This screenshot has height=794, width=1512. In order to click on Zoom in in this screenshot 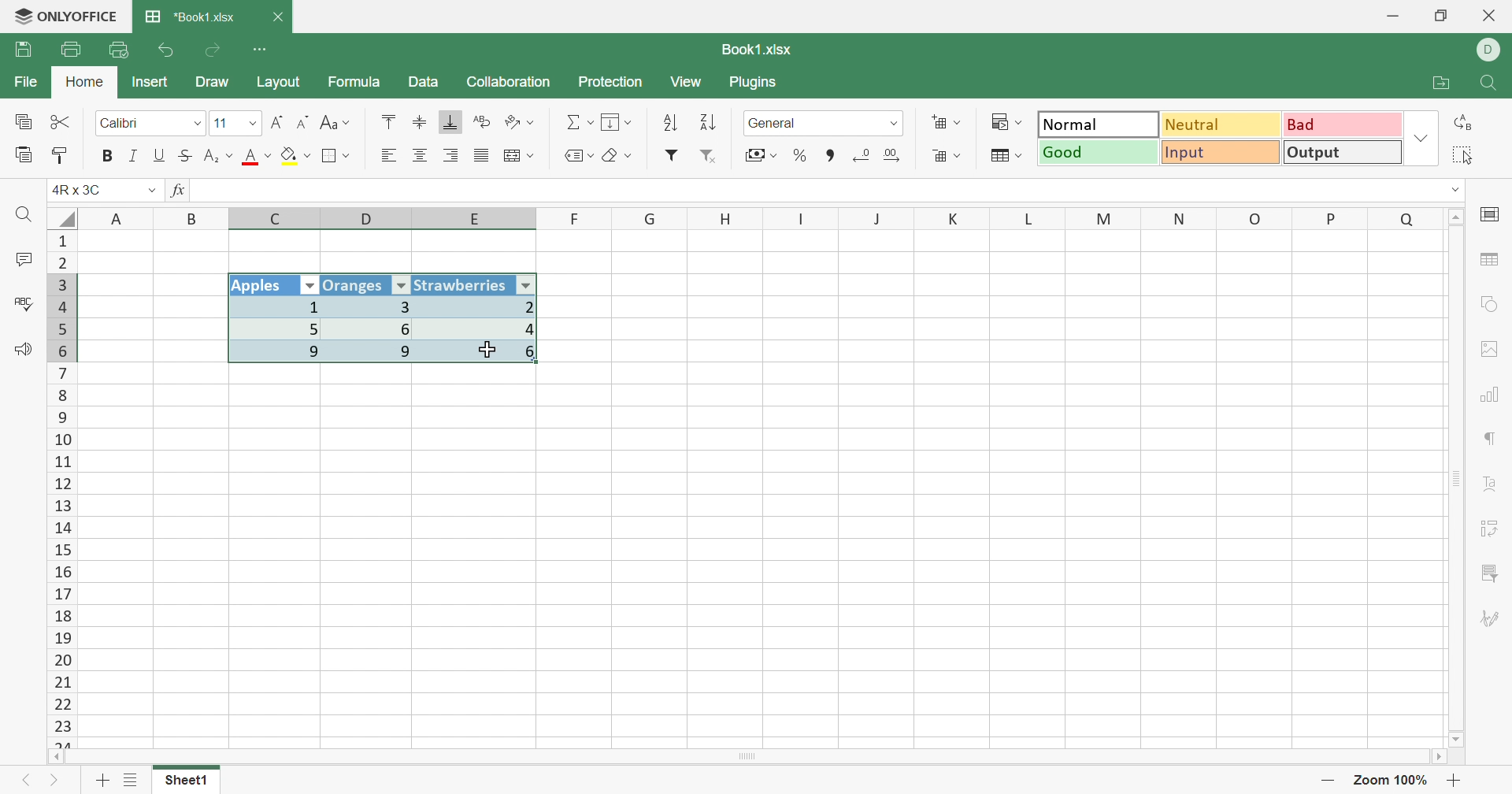, I will do `click(1458, 781)`.